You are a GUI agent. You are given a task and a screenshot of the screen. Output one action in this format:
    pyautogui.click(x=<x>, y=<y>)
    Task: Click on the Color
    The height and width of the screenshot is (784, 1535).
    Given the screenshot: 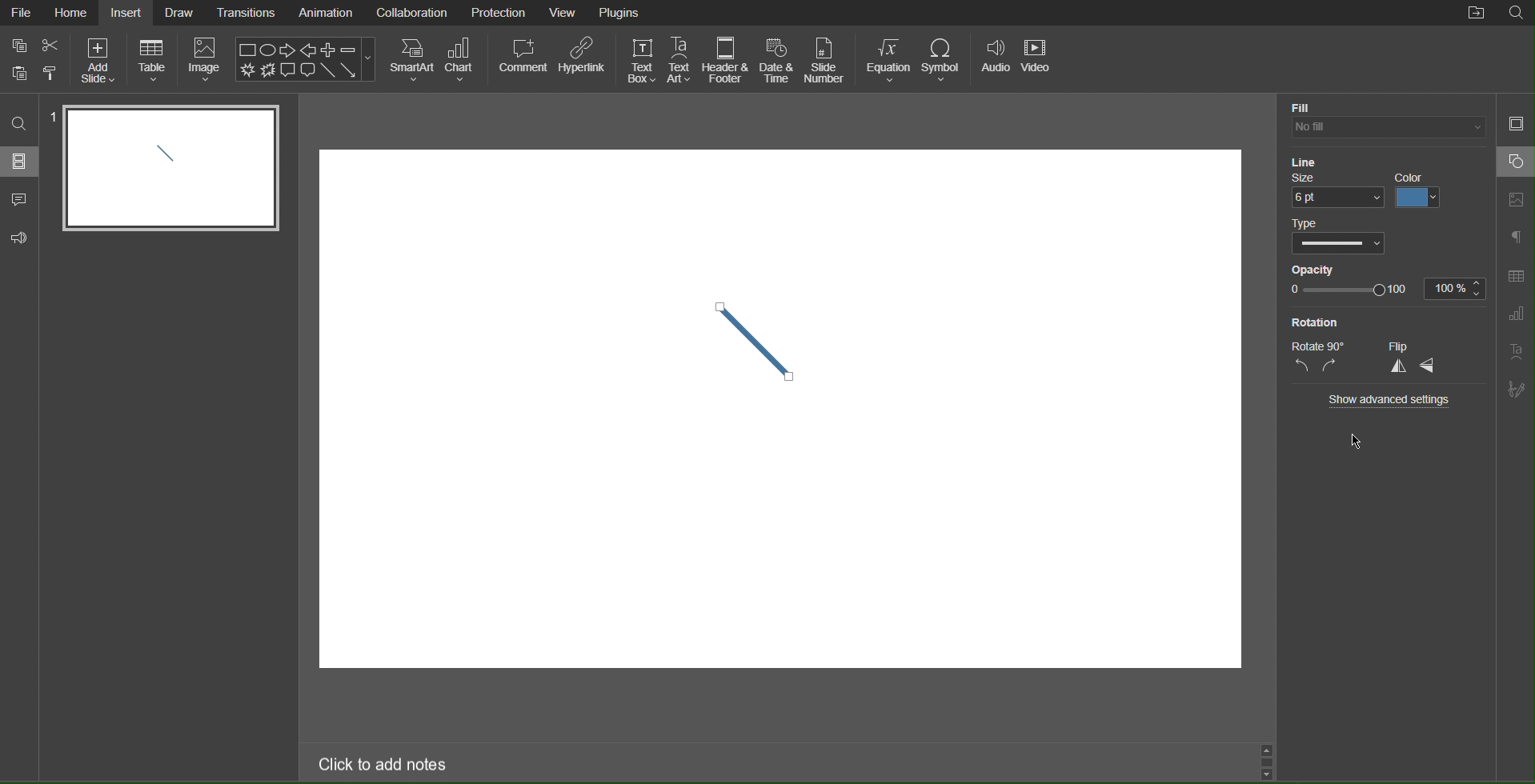 What is the action you would take?
    pyautogui.click(x=1421, y=190)
    